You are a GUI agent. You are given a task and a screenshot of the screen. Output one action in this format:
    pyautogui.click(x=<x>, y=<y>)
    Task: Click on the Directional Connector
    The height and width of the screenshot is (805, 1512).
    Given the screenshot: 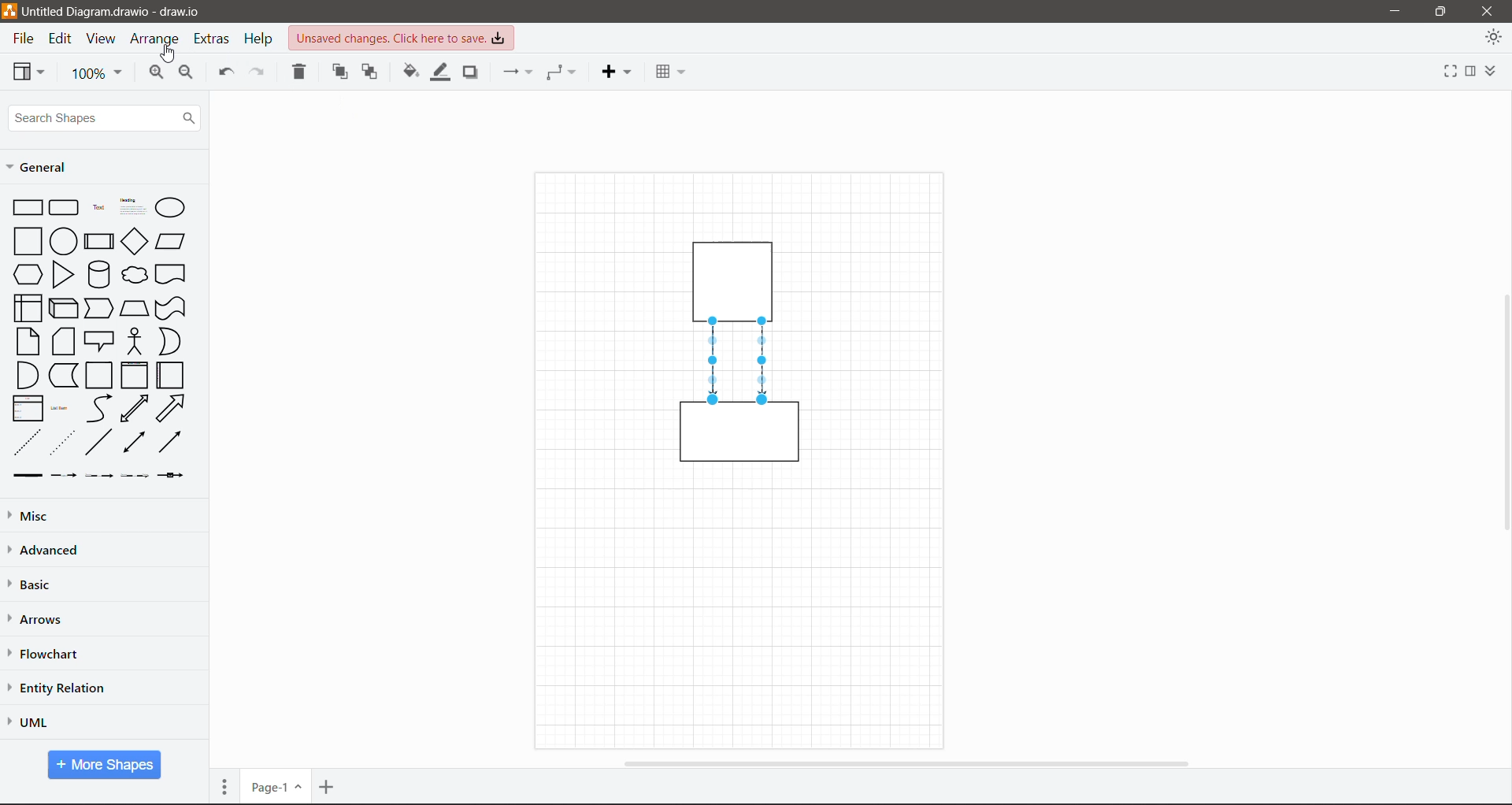 What is the action you would take?
    pyautogui.click(x=764, y=362)
    